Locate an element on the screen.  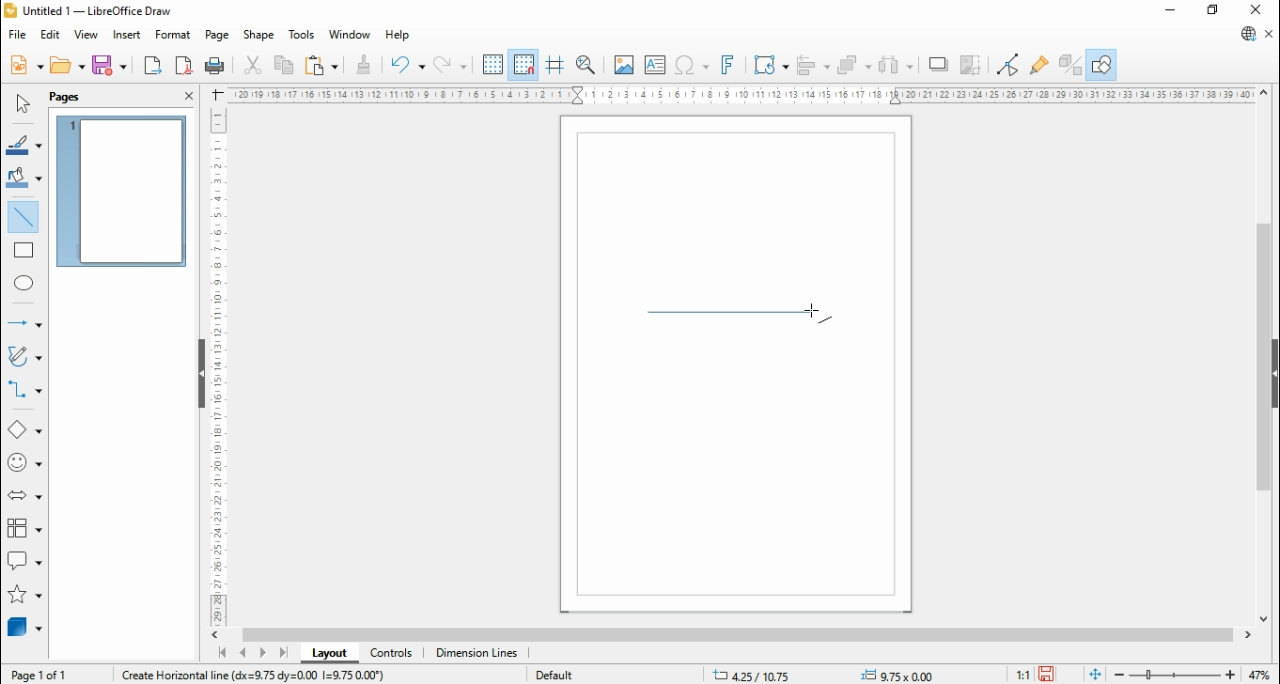
show grids is located at coordinates (493, 64).